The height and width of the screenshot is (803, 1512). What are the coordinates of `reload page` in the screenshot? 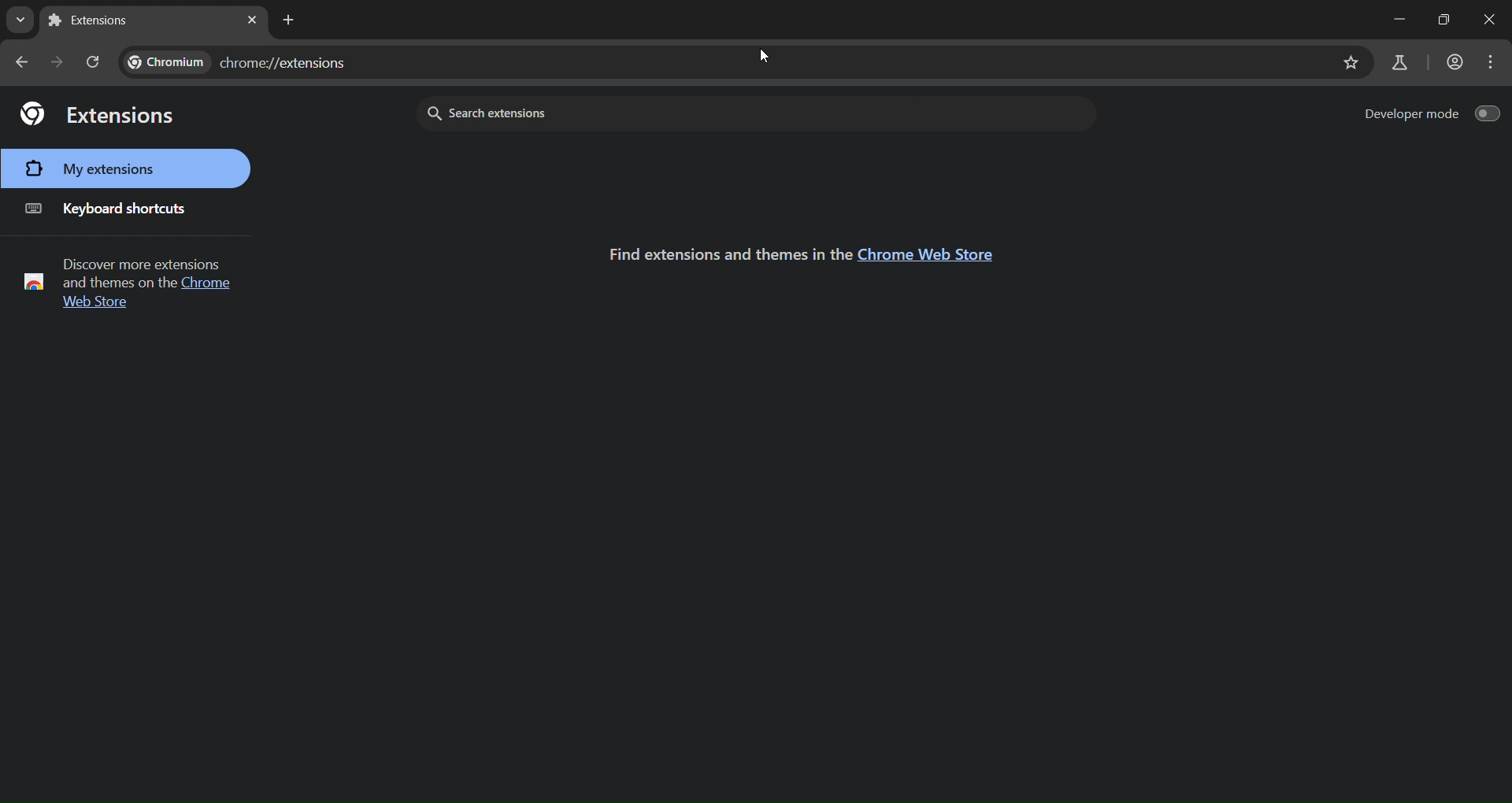 It's located at (94, 61).